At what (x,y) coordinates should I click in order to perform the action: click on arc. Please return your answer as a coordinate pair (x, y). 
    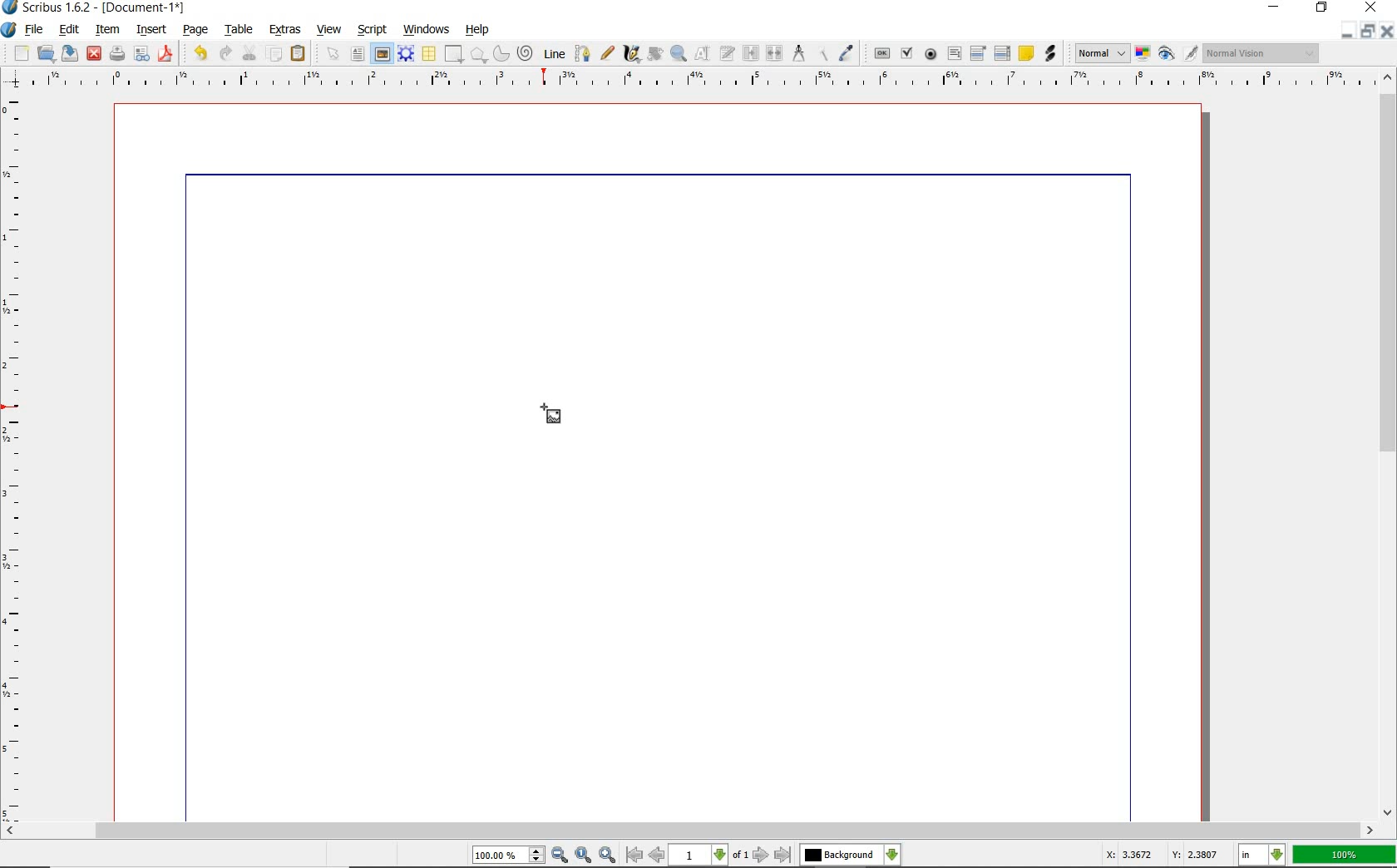
    Looking at the image, I should click on (501, 54).